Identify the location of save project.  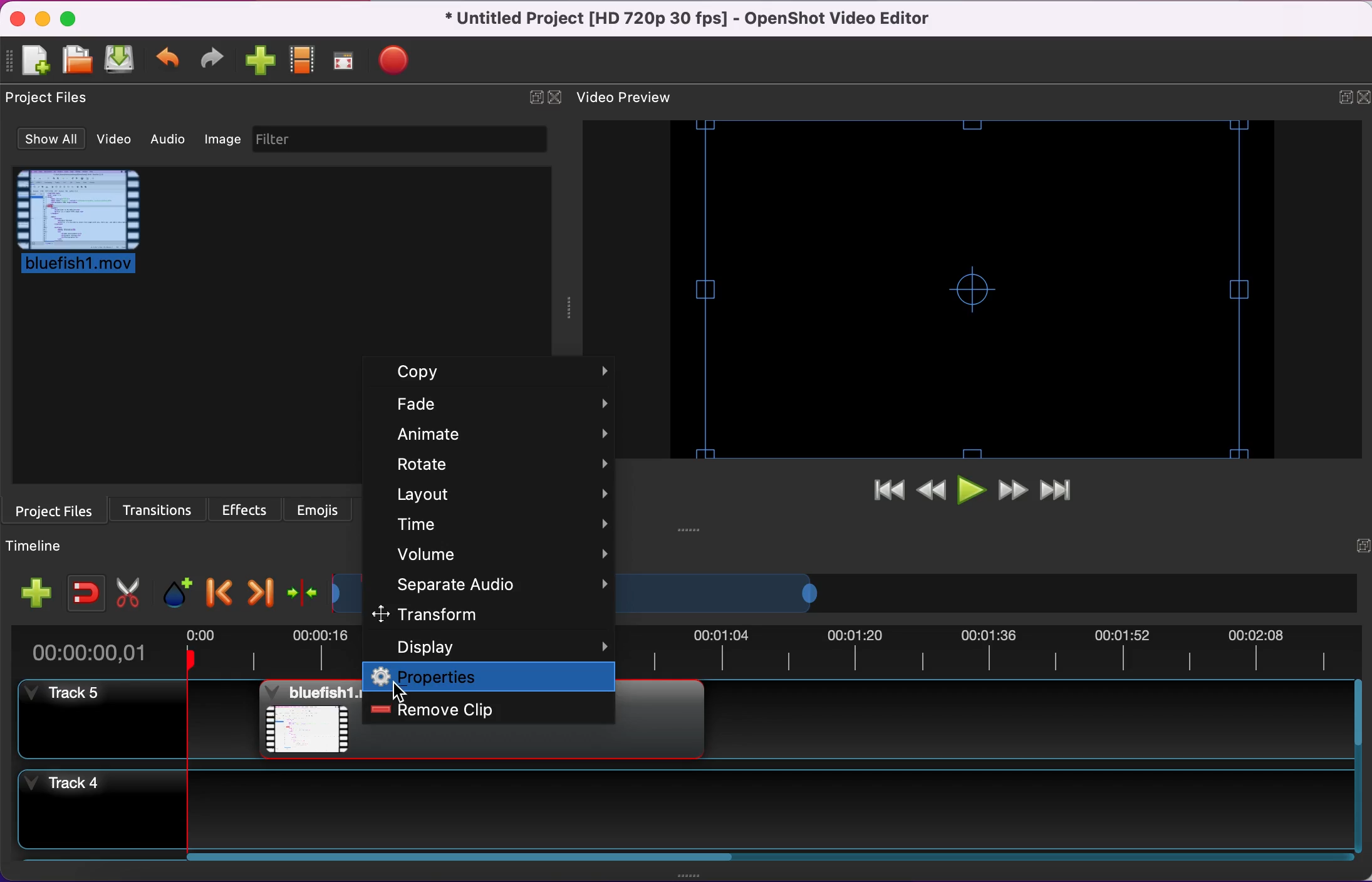
(122, 60).